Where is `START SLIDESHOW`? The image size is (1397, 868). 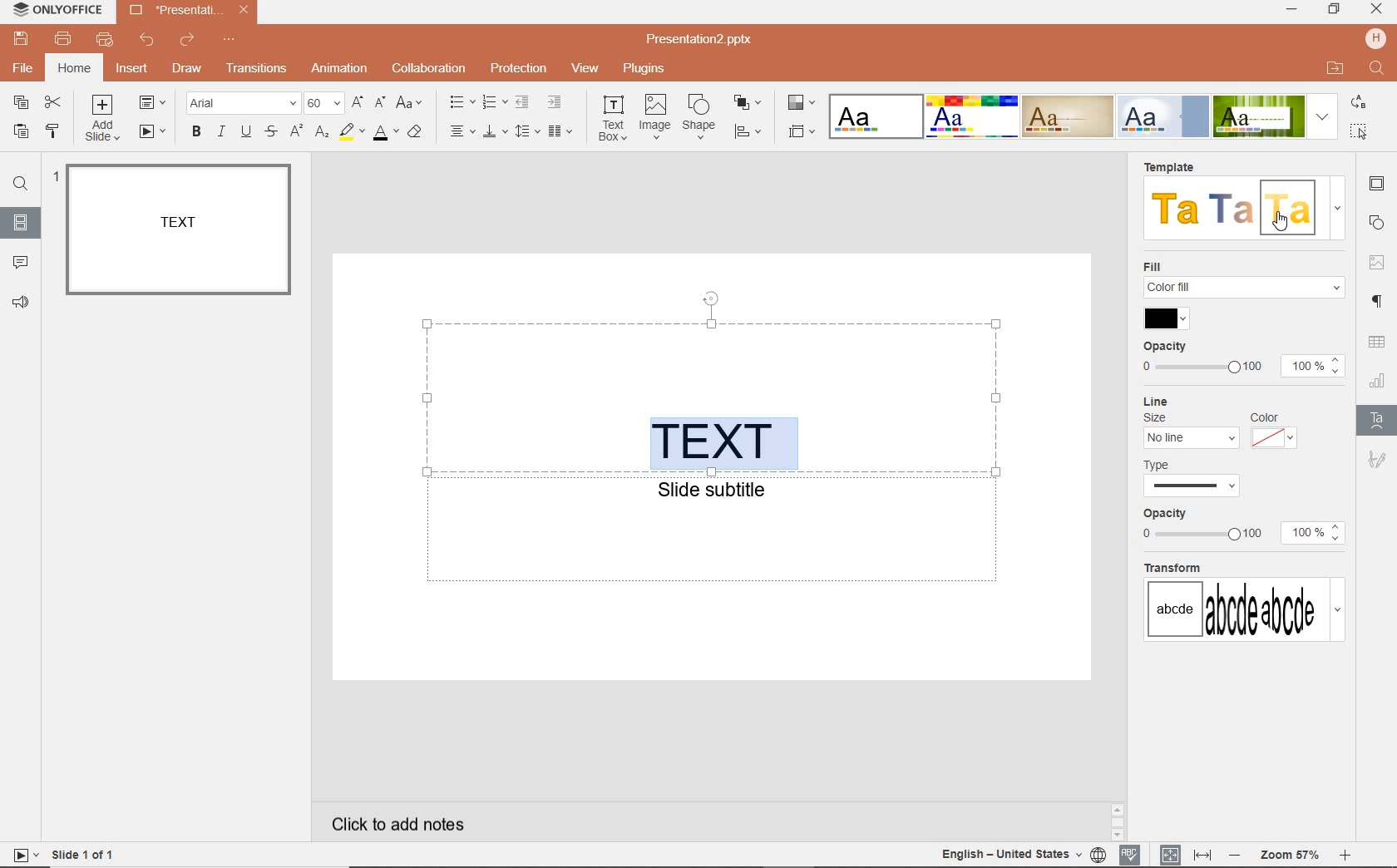
START SLIDESHOW is located at coordinates (152, 133).